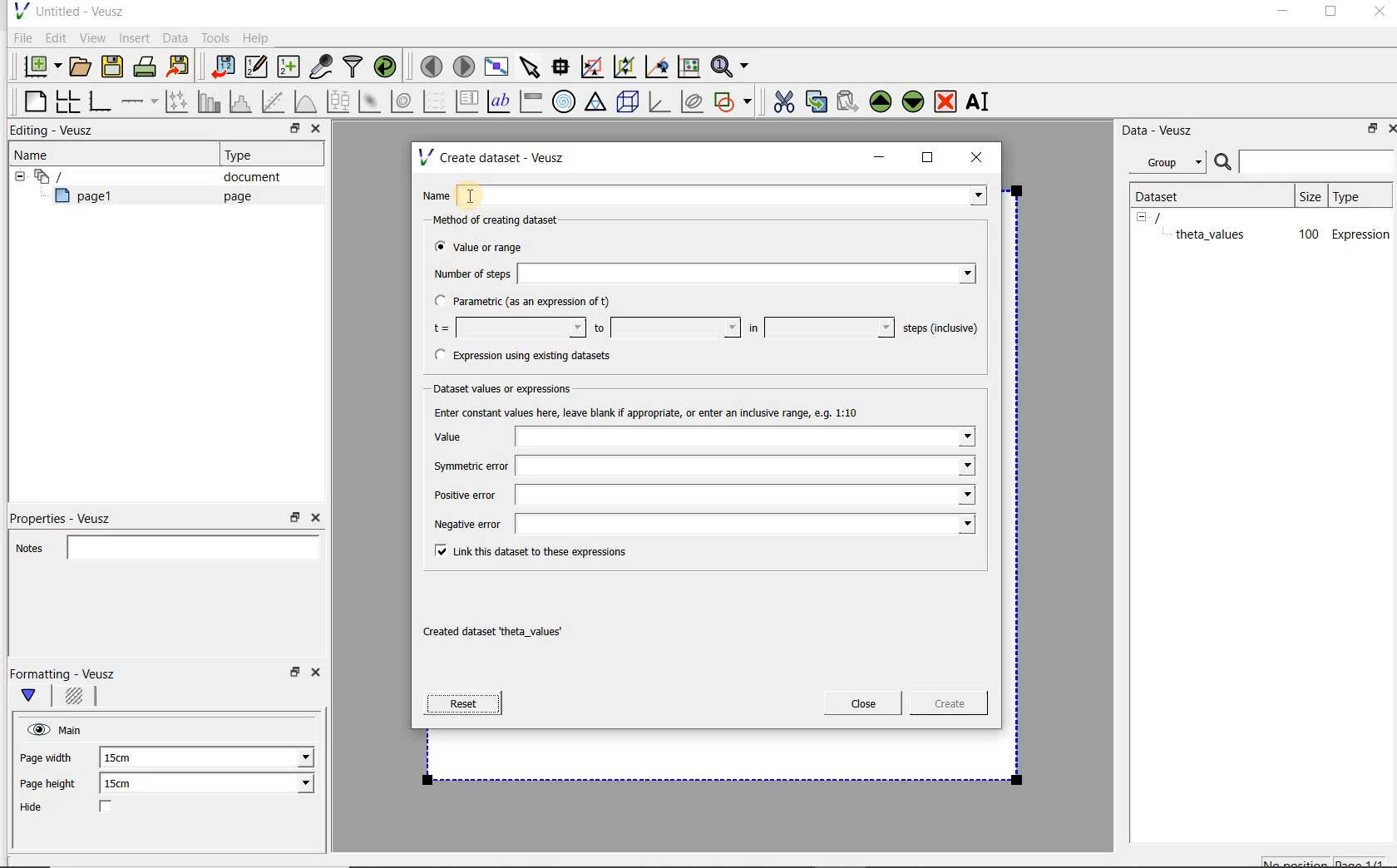 The height and width of the screenshot is (868, 1397). What do you see at coordinates (565, 101) in the screenshot?
I see `polar graph` at bounding box center [565, 101].